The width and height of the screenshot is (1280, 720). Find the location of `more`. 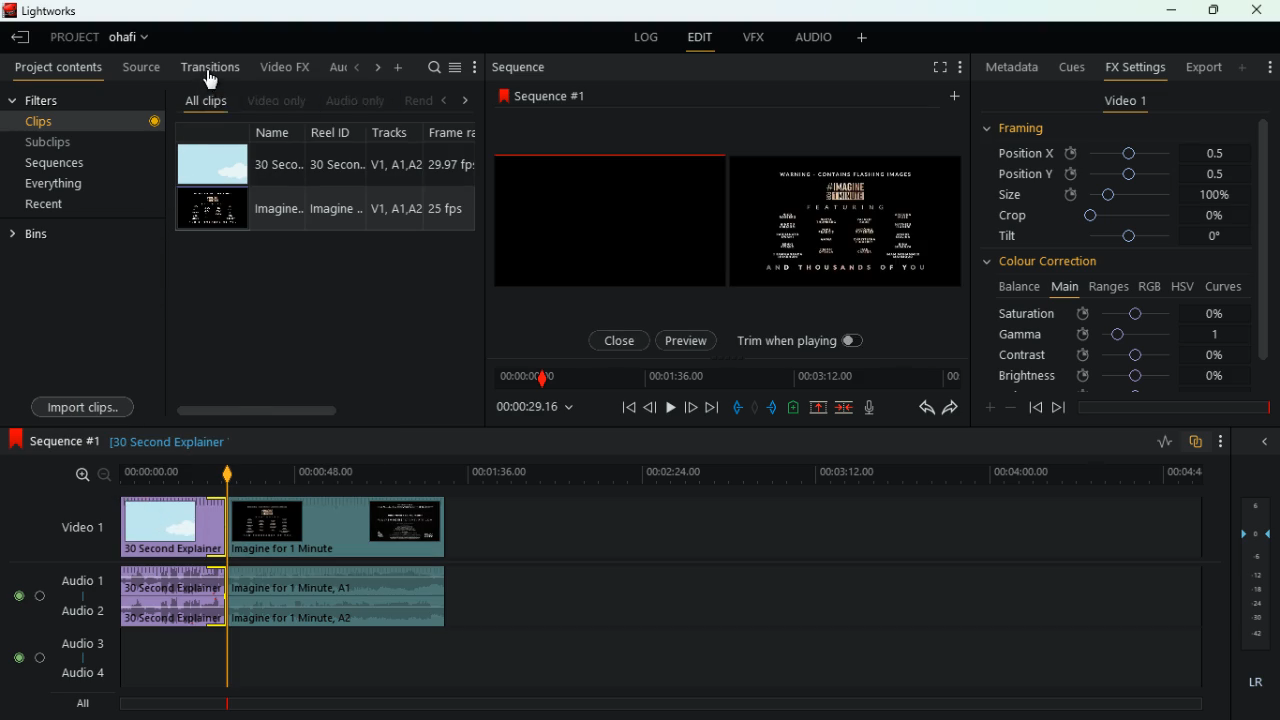

more is located at coordinates (1267, 62).